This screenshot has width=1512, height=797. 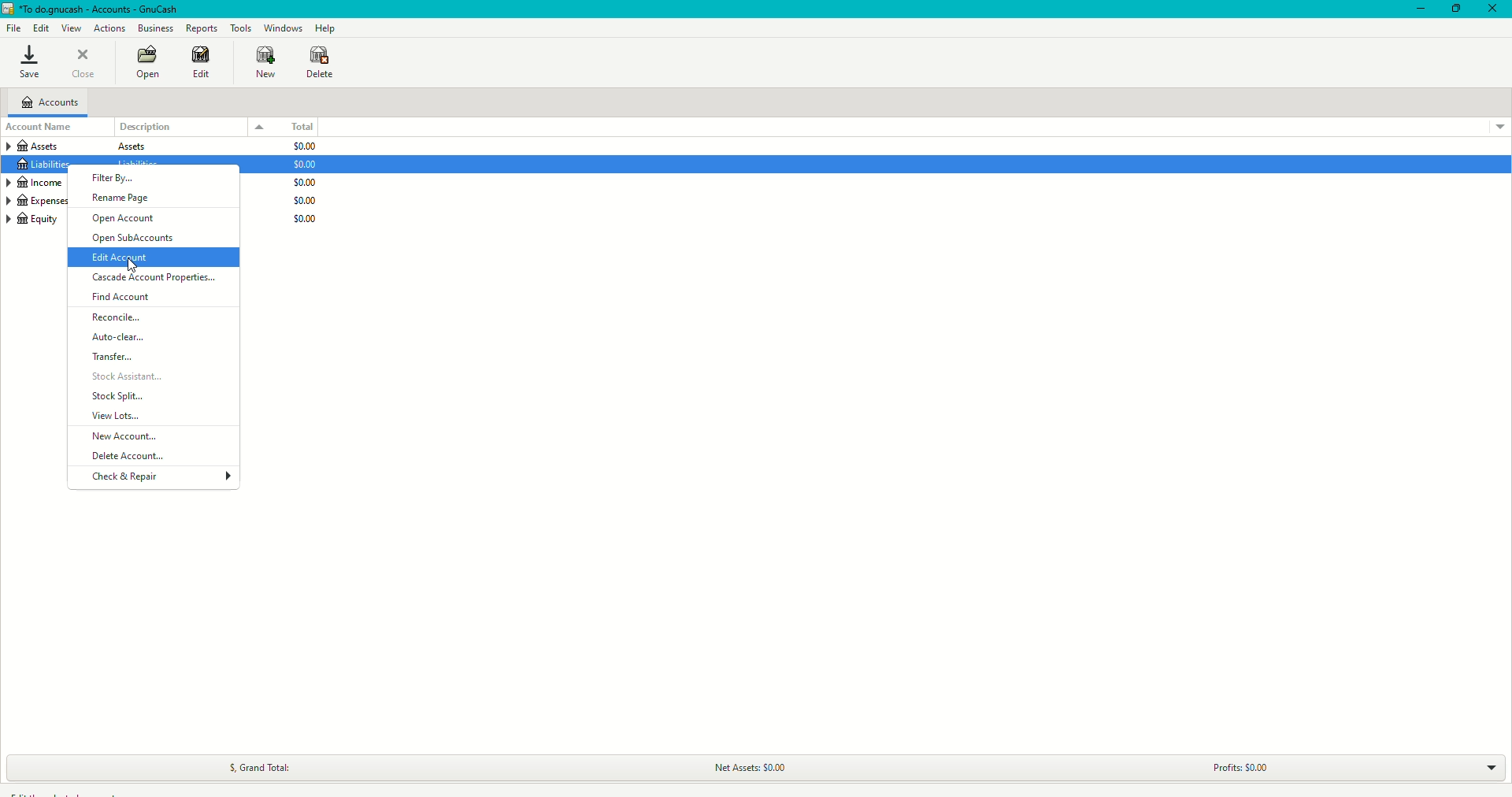 What do you see at coordinates (285, 28) in the screenshot?
I see `Windows` at bounding box center [285, 28].